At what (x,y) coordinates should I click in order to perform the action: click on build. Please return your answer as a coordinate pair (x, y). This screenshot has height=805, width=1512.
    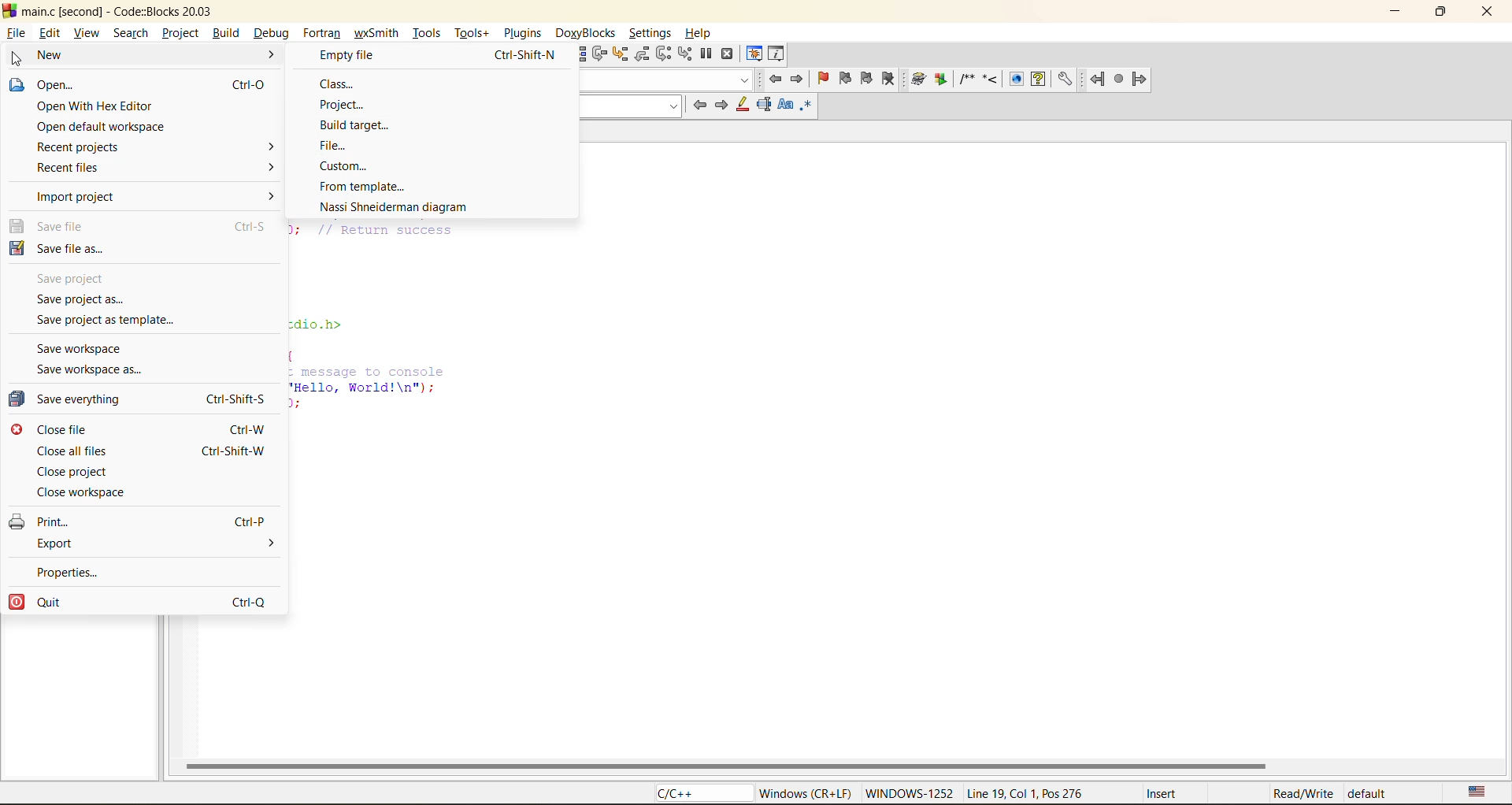
    Looking at the image, I should click on (228, 32).